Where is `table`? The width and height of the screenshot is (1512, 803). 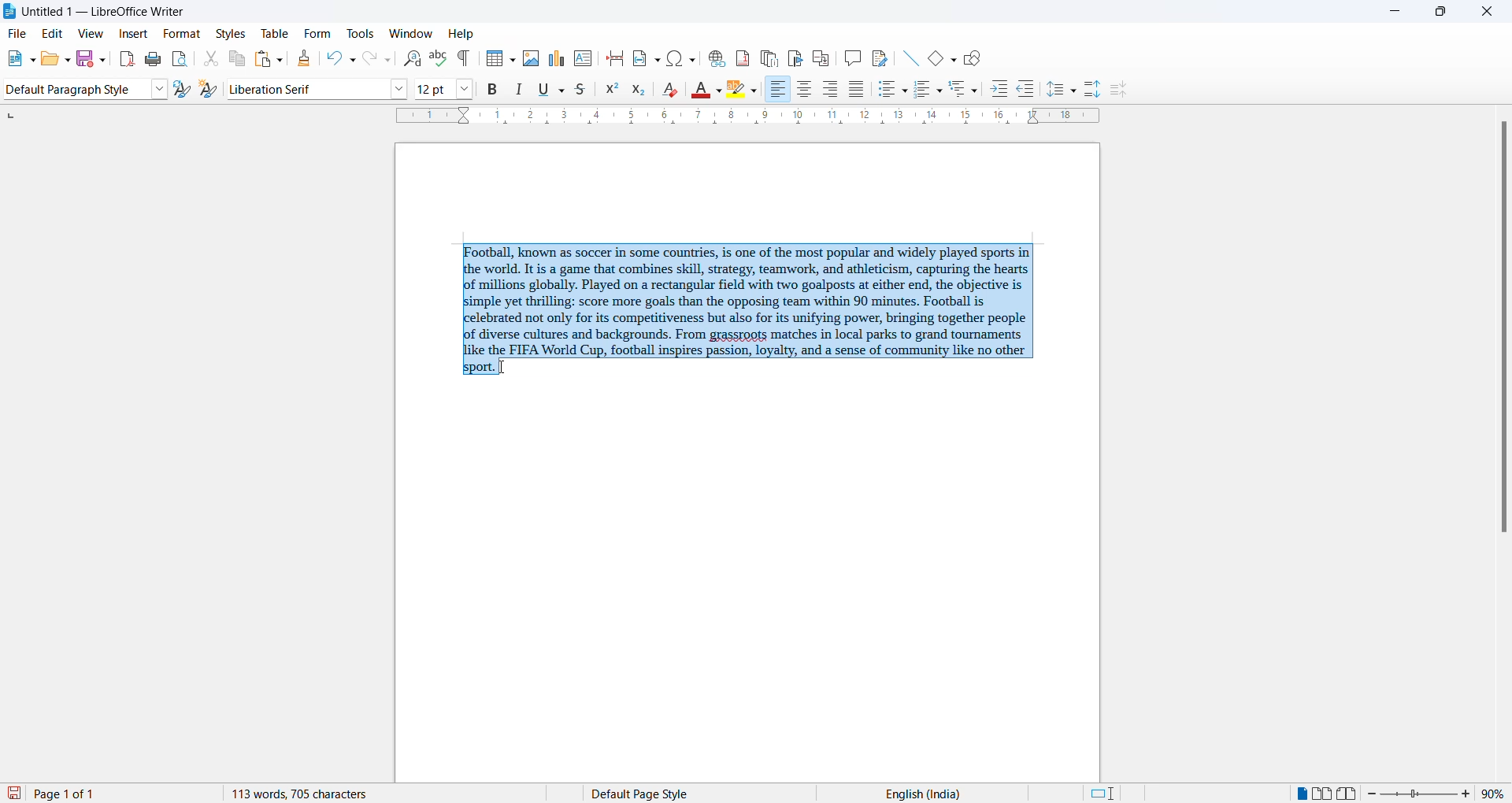 table is located at coordinates (275, 32).